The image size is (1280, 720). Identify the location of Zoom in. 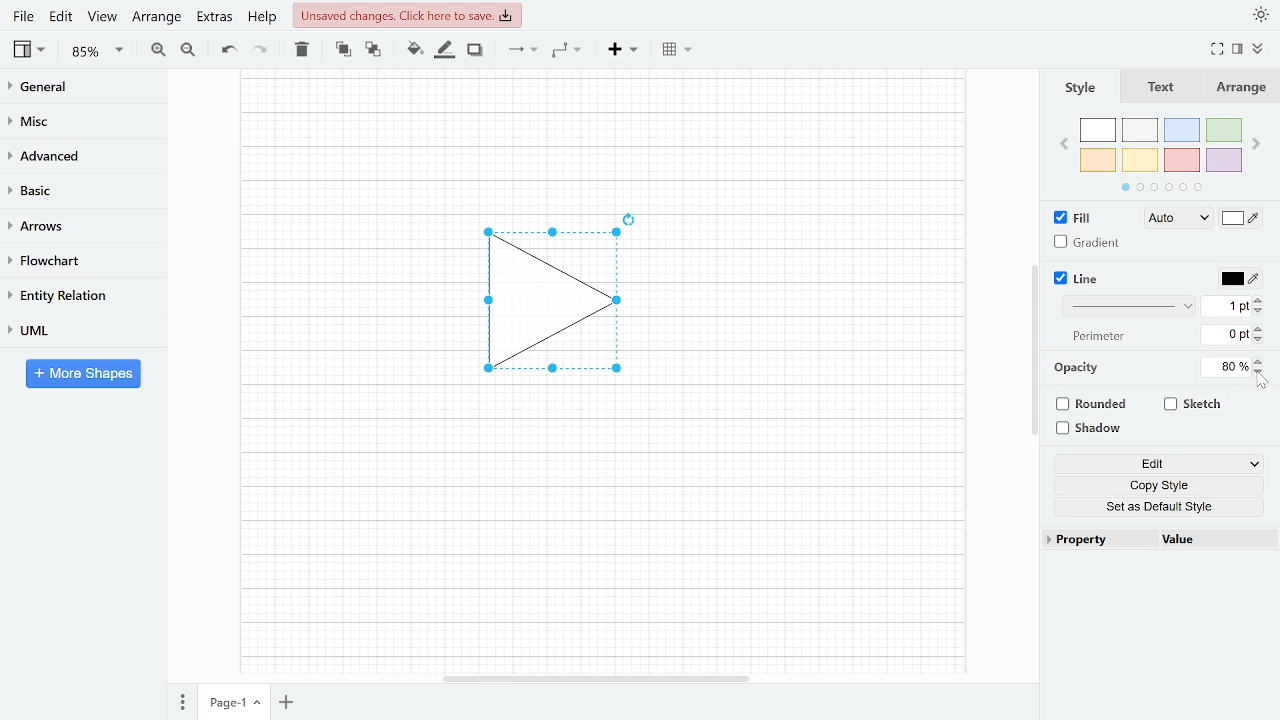
(158, 49).